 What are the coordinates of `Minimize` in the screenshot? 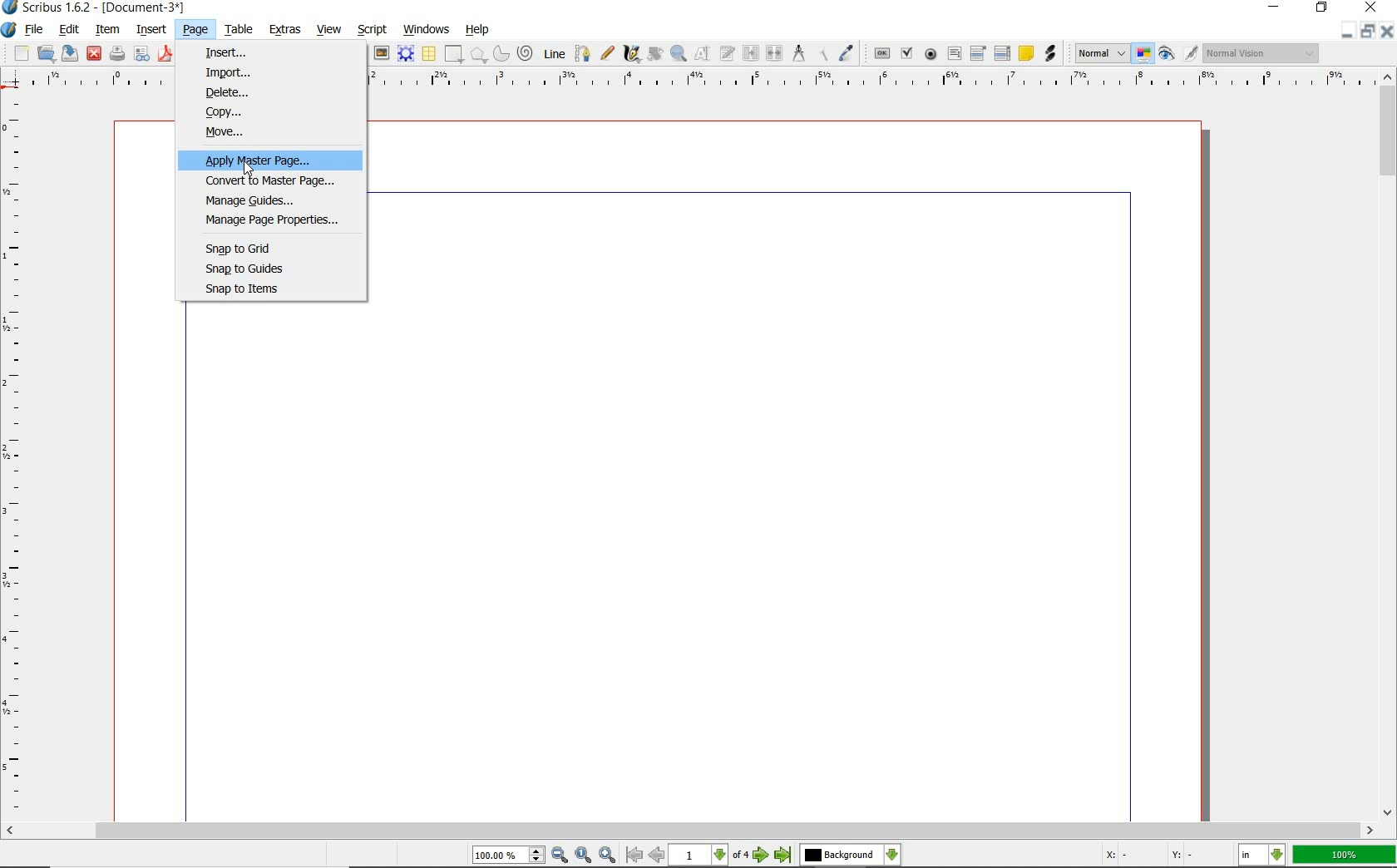 It's located at (1367, 33).